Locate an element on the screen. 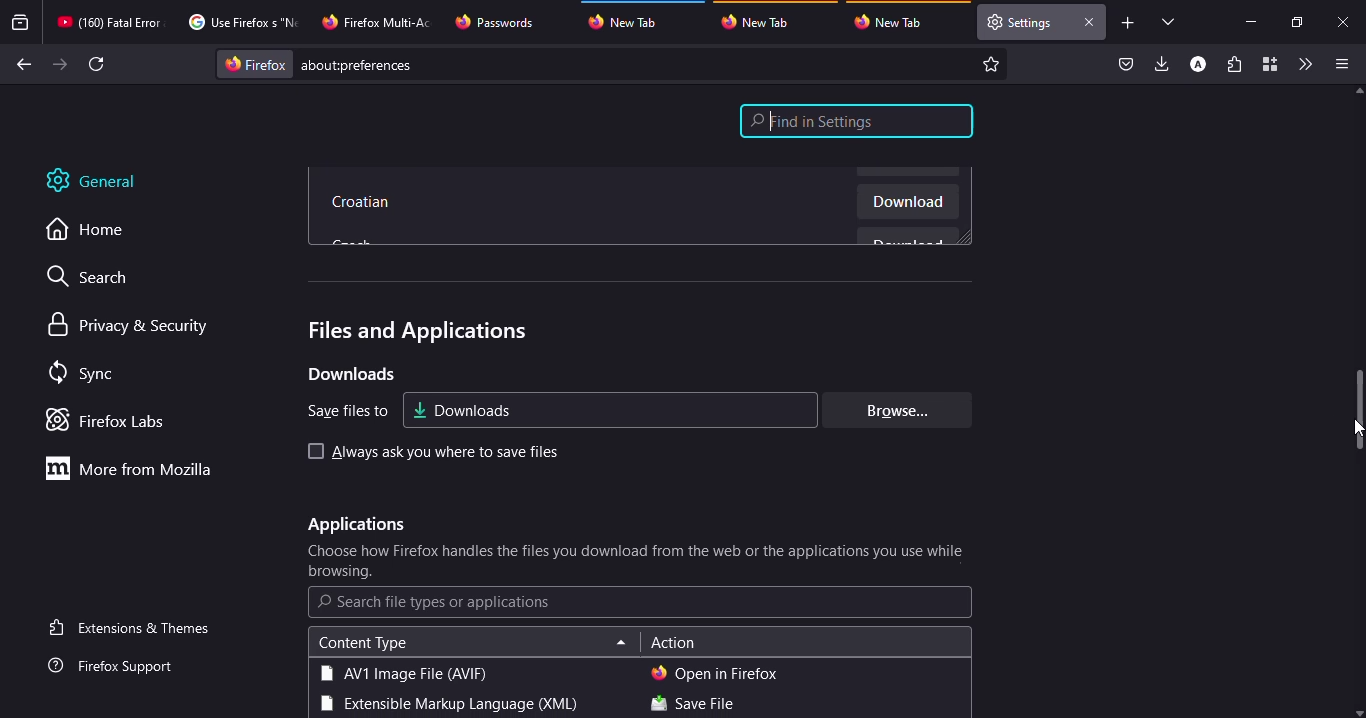 The image size is (1366, 718). tab is located at coordinates (894, 22).